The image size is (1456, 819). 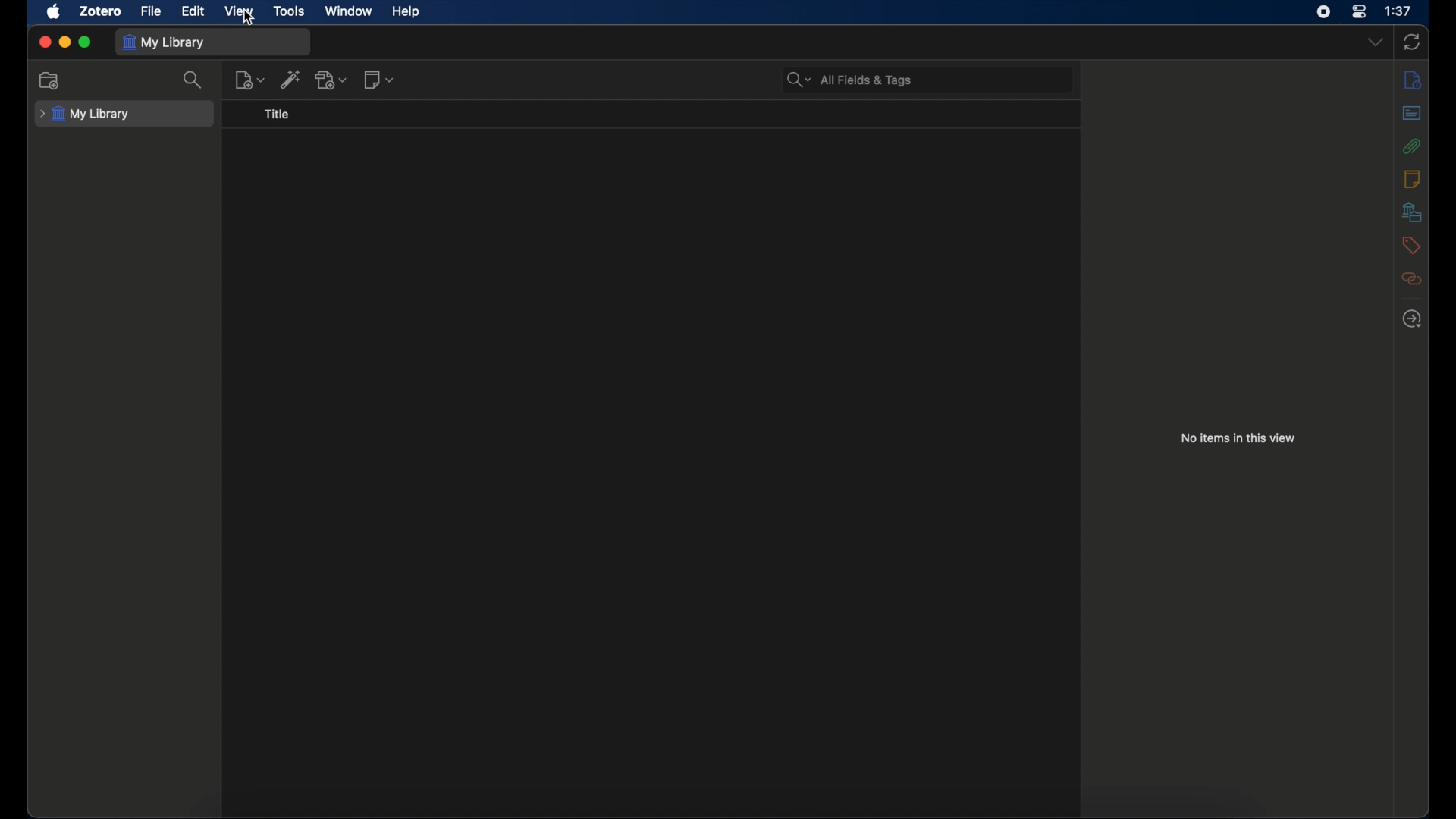 What do you see at coordinates (197, 83) in the screenshot?
I see `search` at bounding box center [197, 83].